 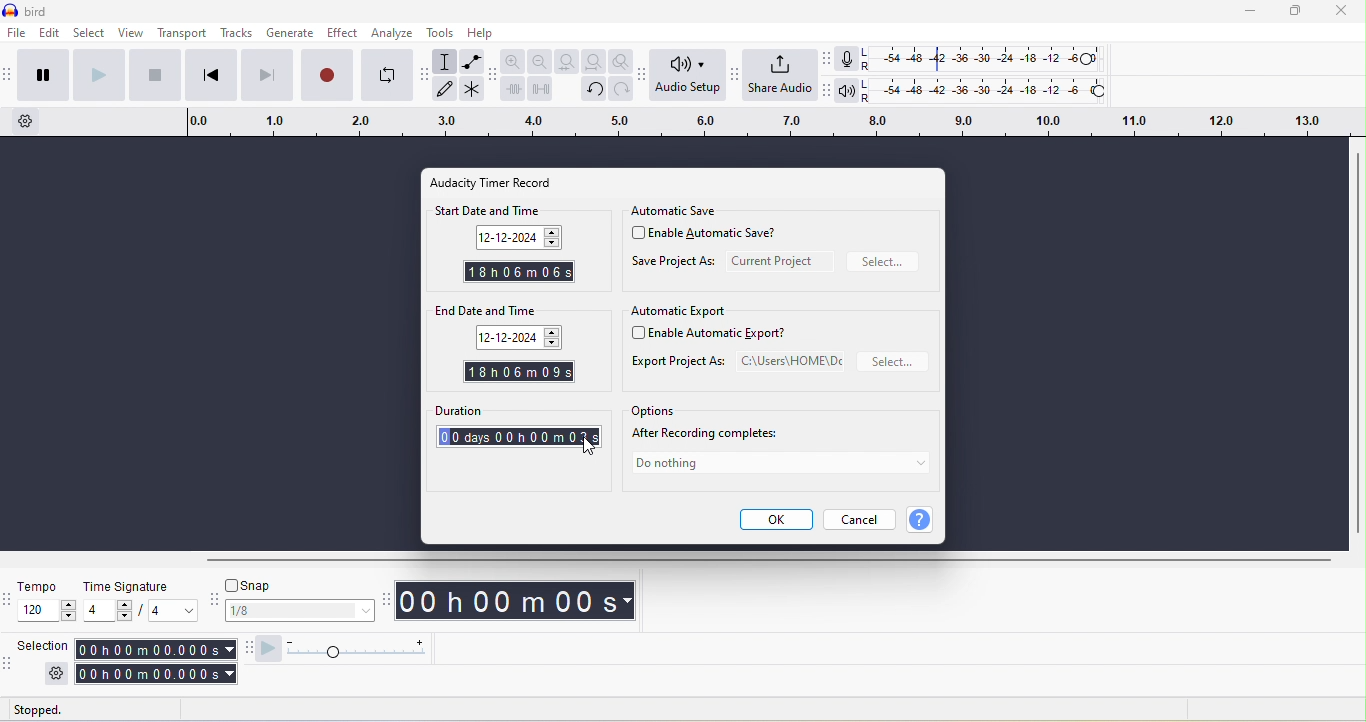 I want to click on horizontal scroll bar, so click(x=765, y=562).